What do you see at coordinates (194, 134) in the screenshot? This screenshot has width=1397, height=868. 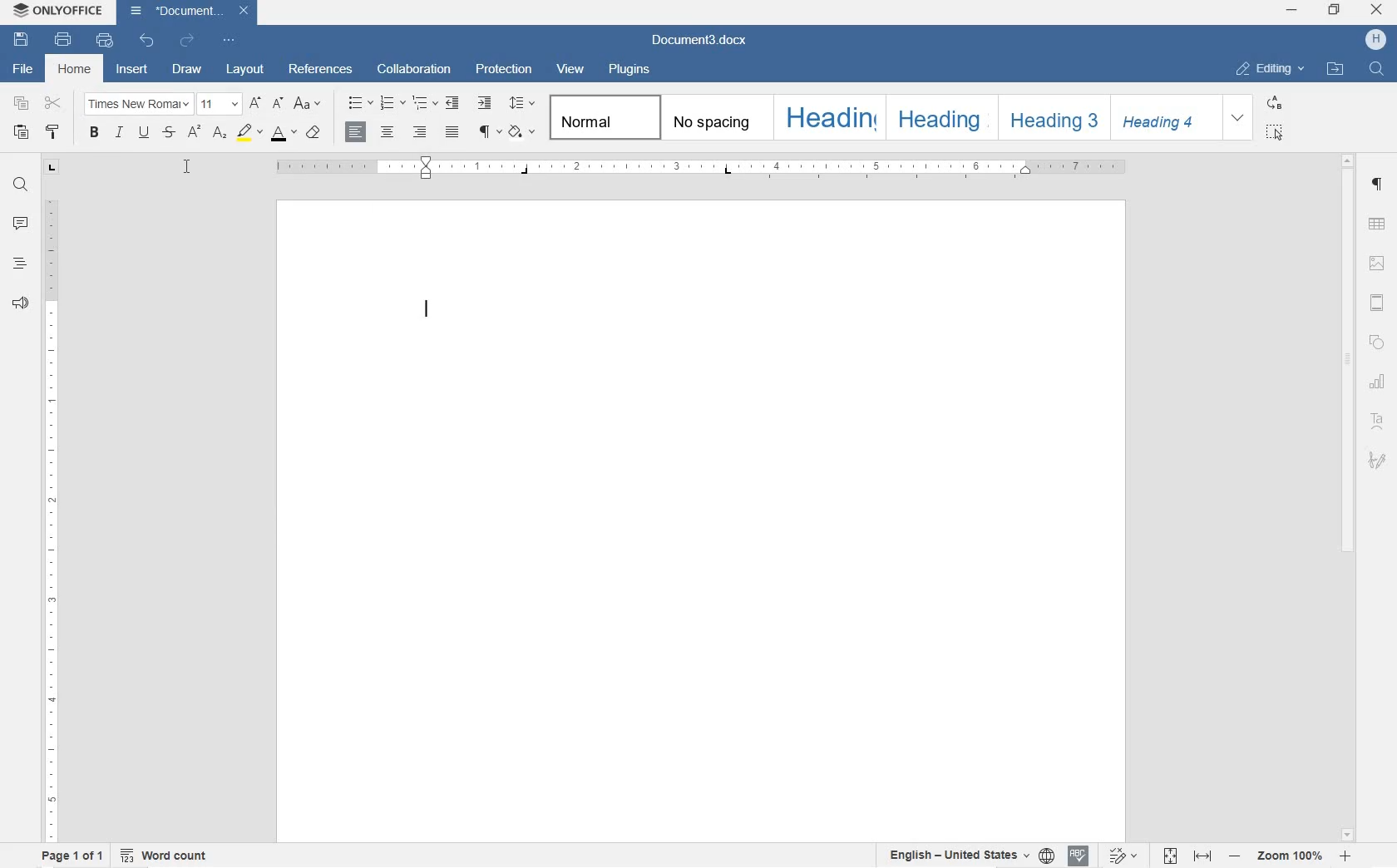 I see `SUPERSCRIPT` at bounding box center [194, 134].